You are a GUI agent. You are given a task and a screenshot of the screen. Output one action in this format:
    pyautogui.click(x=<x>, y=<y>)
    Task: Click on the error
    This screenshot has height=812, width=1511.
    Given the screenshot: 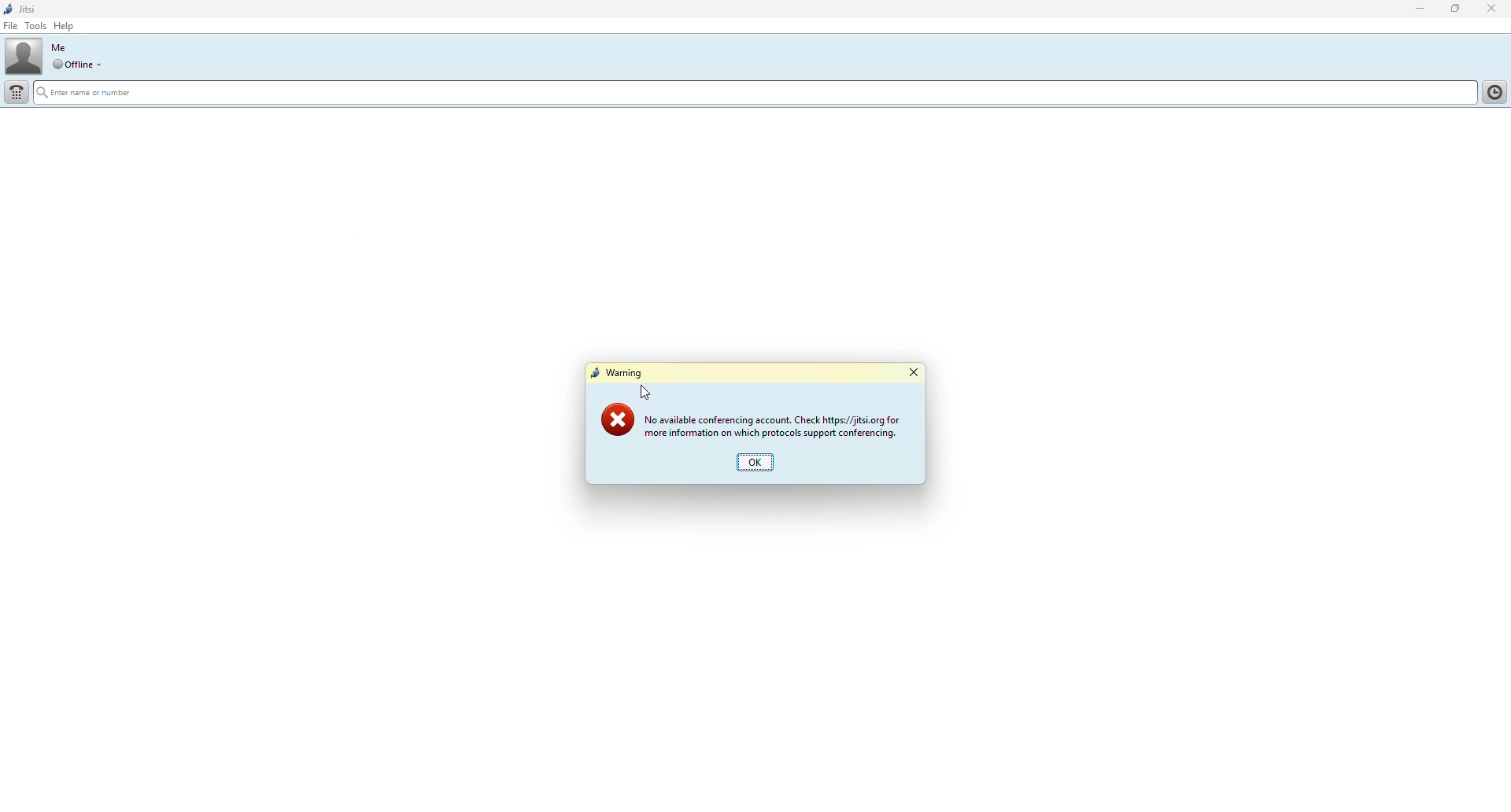 What is the action you would take?
    pyautogui.click(x=616, y=421)
    